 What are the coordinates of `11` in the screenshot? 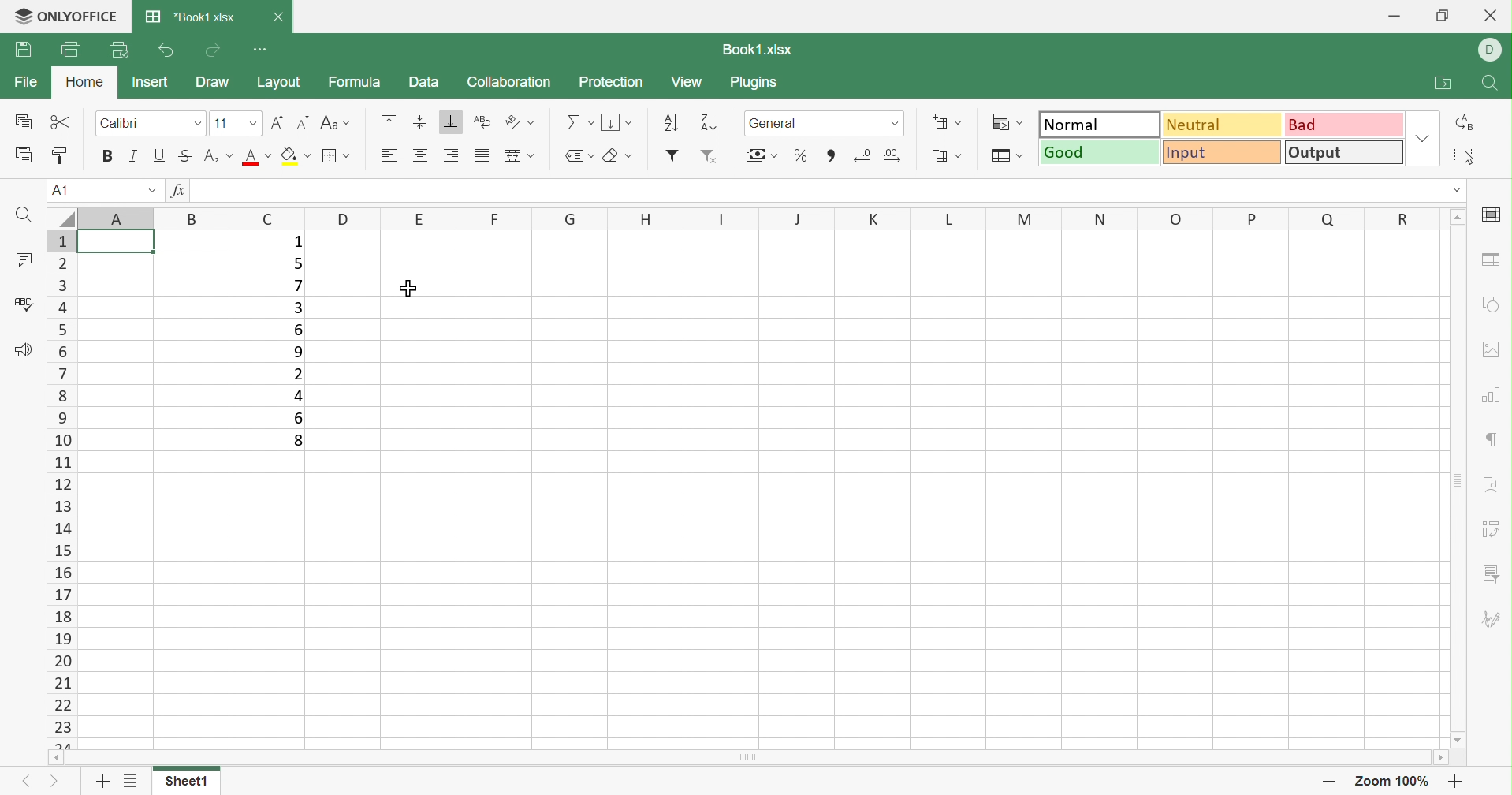 It's located at (222, 124).